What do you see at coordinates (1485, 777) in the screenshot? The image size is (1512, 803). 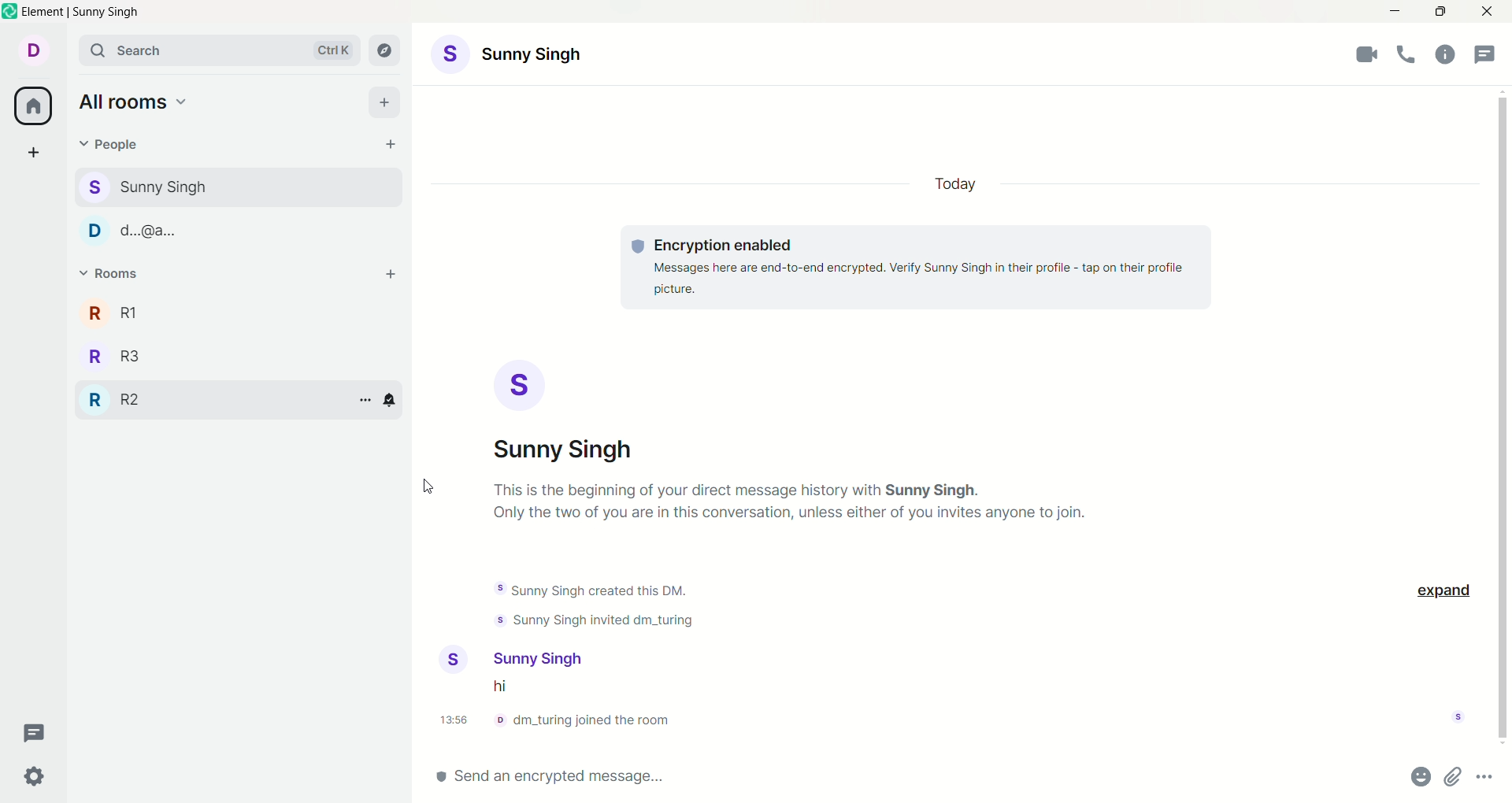 I see `options` at bounding box center [1485, 777].